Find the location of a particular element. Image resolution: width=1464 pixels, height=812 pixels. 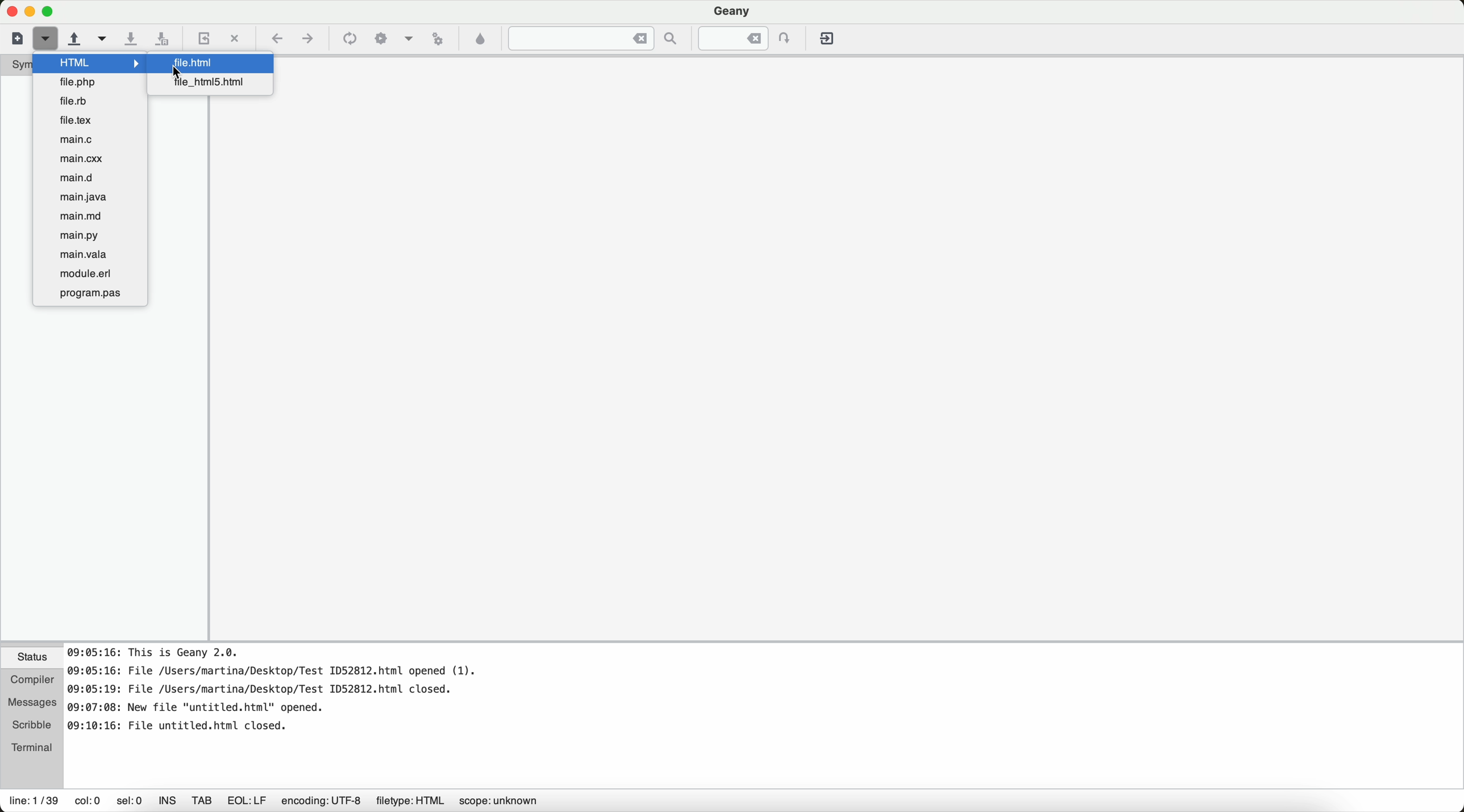

quit Geany is located at coordinates (827, 38).